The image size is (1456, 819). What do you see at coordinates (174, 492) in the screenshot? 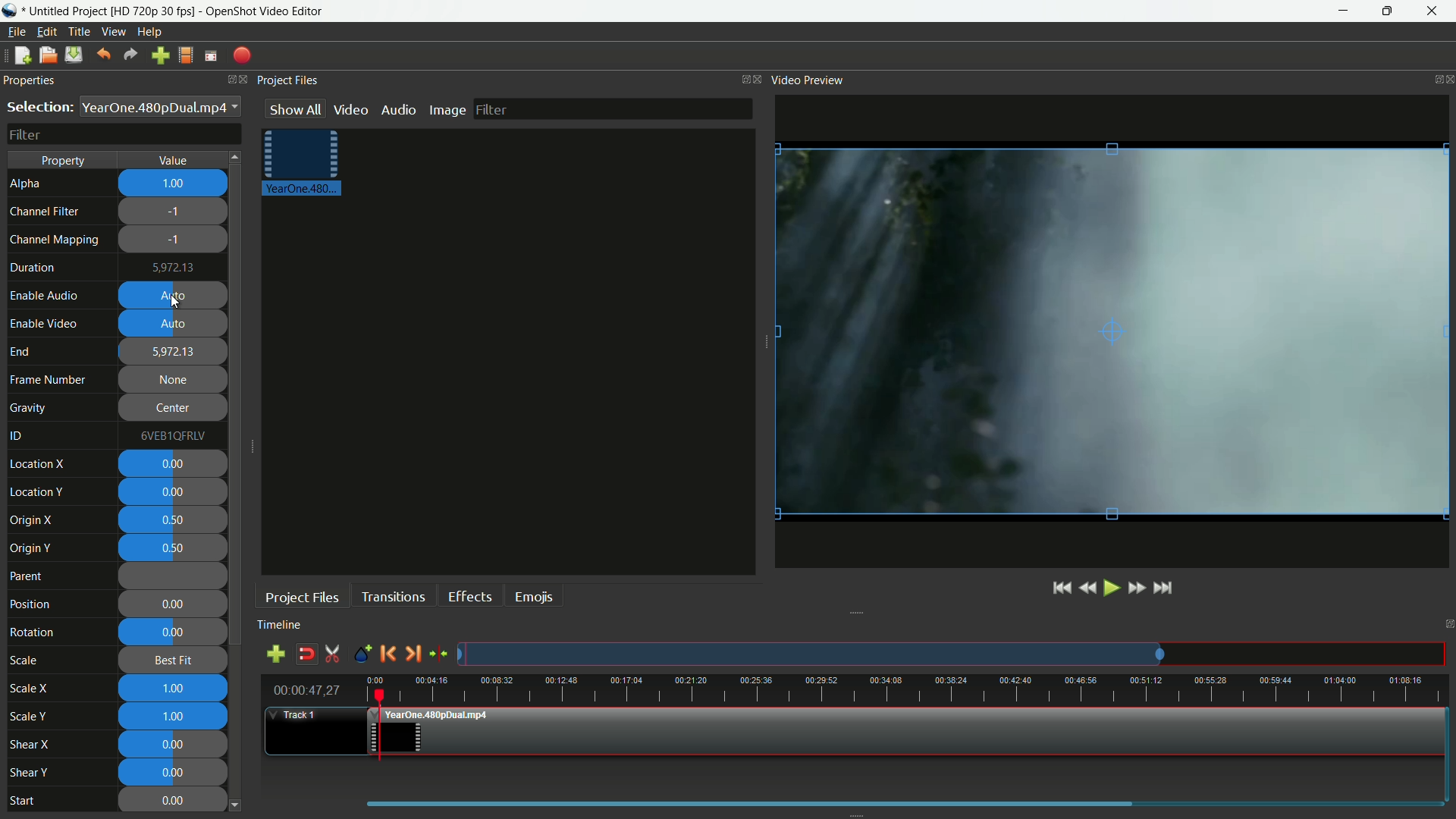
I see `0.00` at bounding box center [174, 492].